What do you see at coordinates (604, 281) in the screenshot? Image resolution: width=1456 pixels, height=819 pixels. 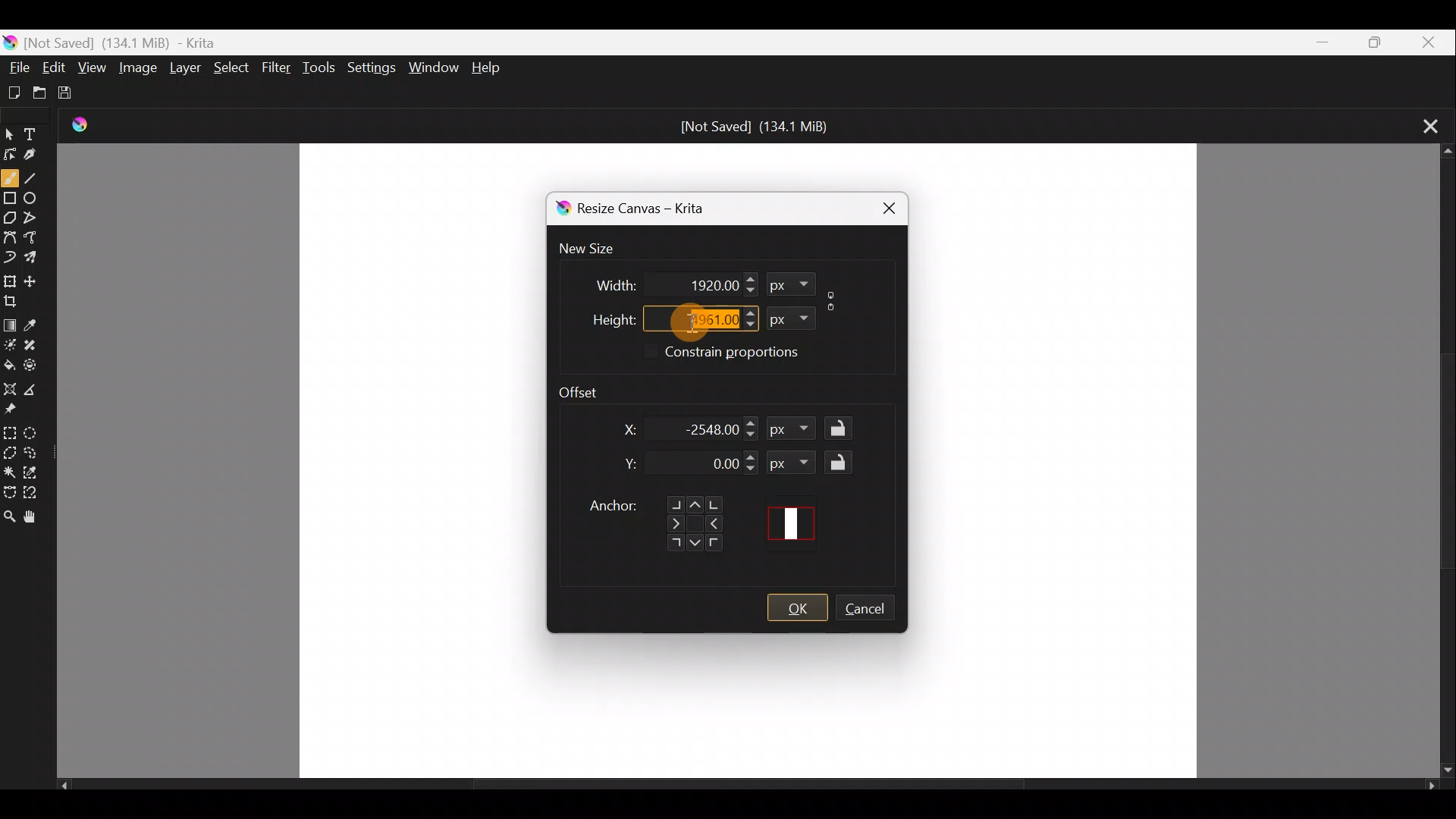 I see `Width` at bounding box center [604, 281].